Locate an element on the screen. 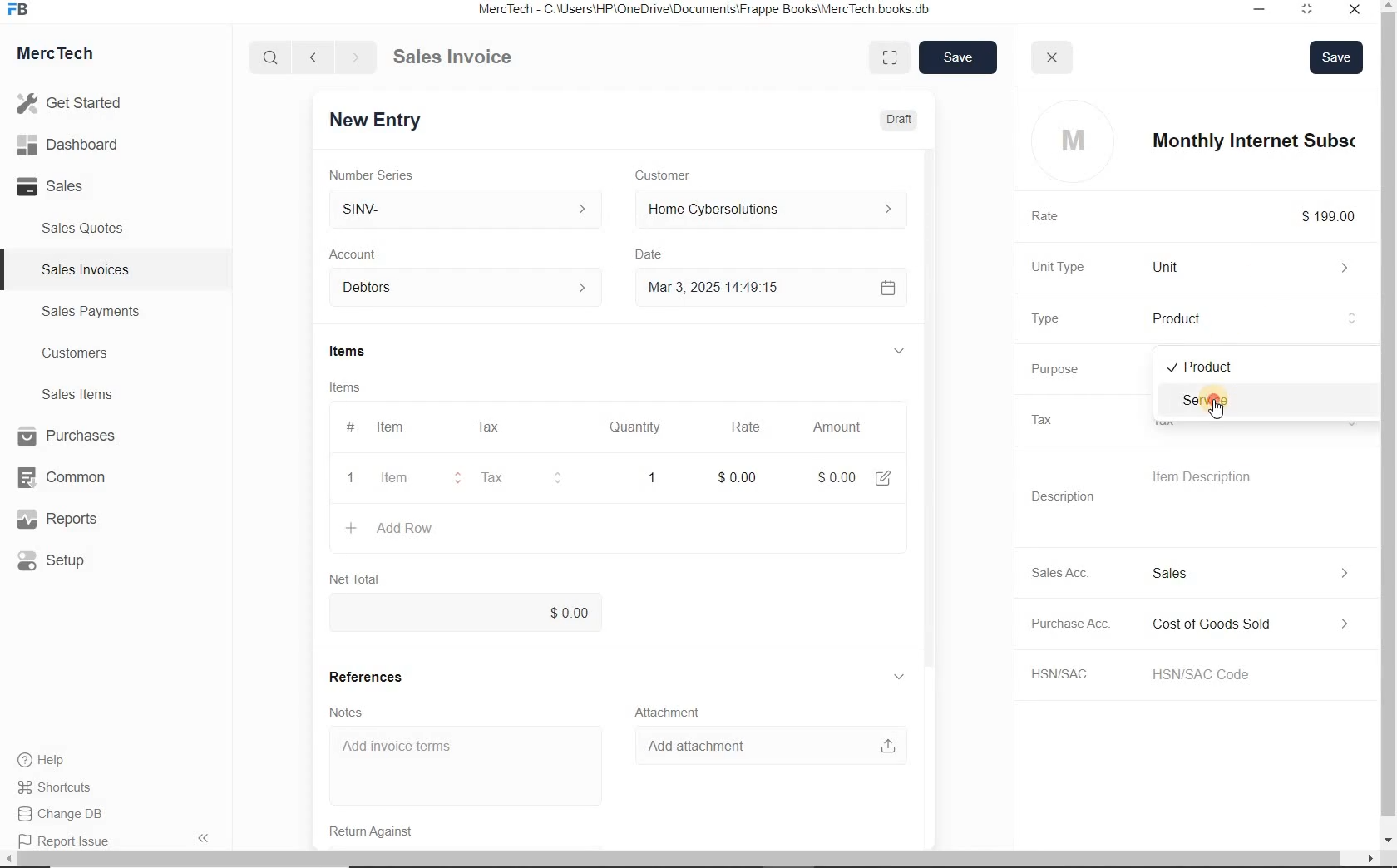 This screenshot has width=1397, height=868. References is located at coordinates (378, 675).